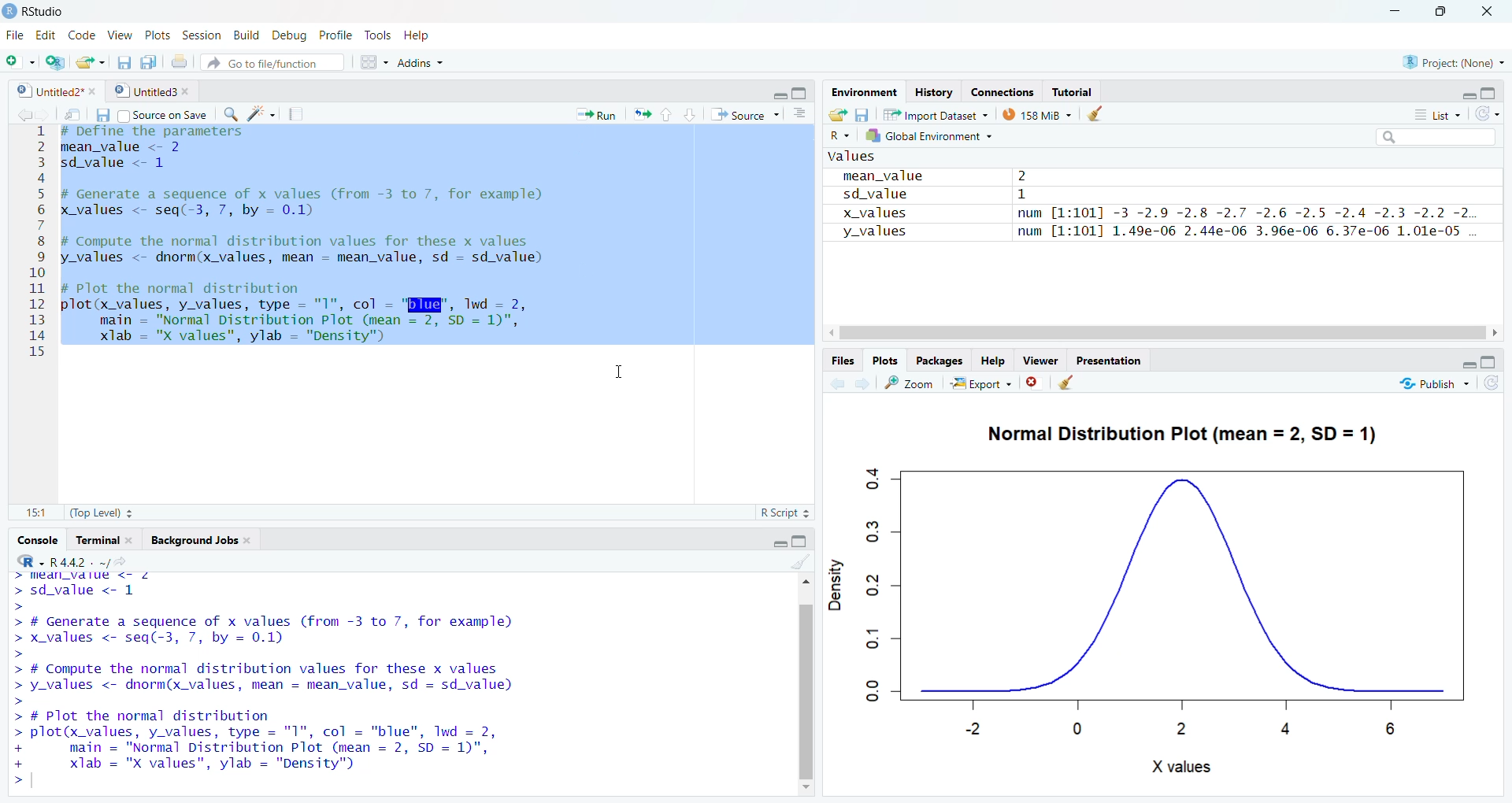  What do you see at coordinates (595, 114) in the screenshot?
I see `Run` at bounding box center [595, 114].